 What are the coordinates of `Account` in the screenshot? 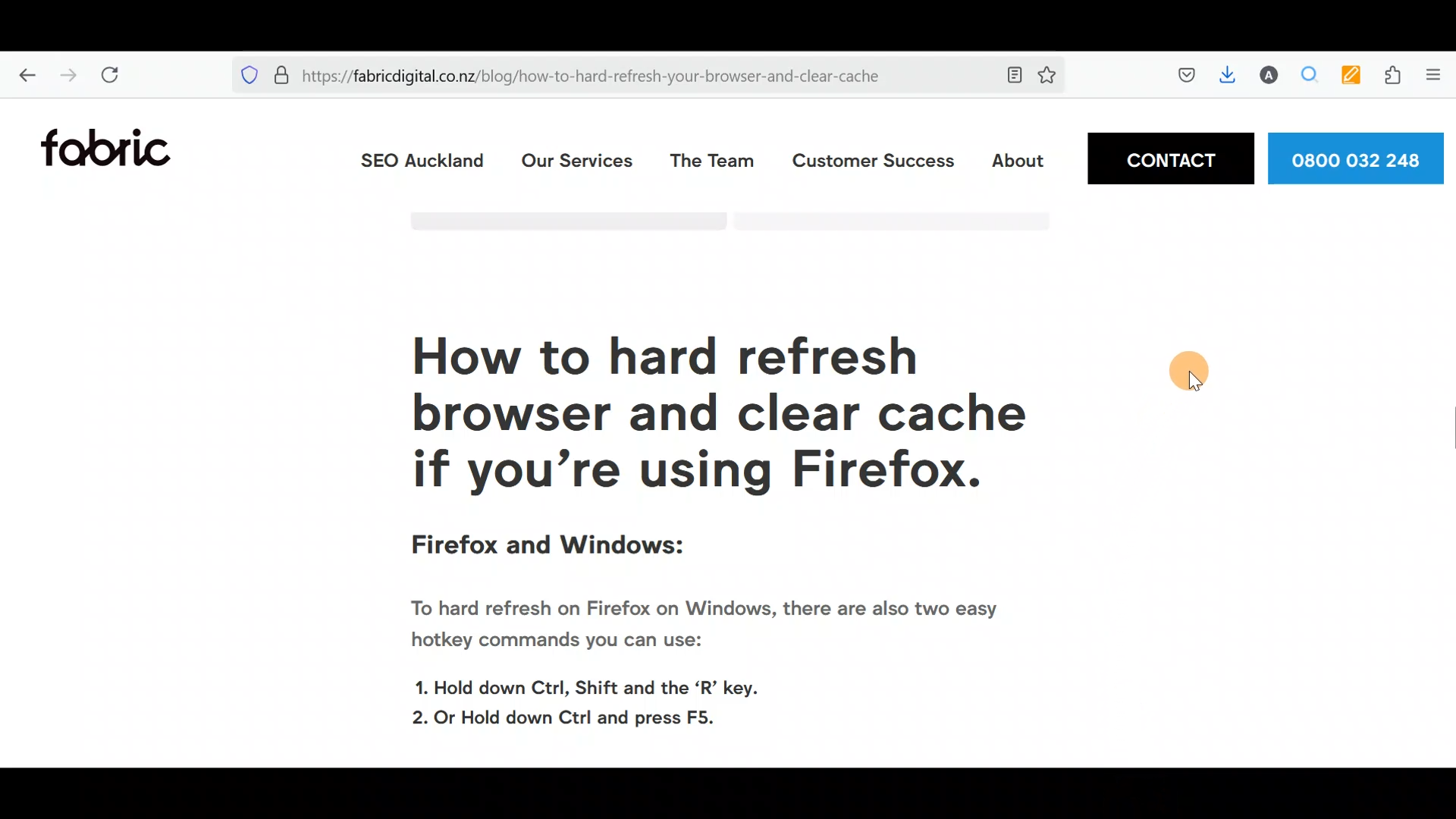 It's located at (1272, 75).